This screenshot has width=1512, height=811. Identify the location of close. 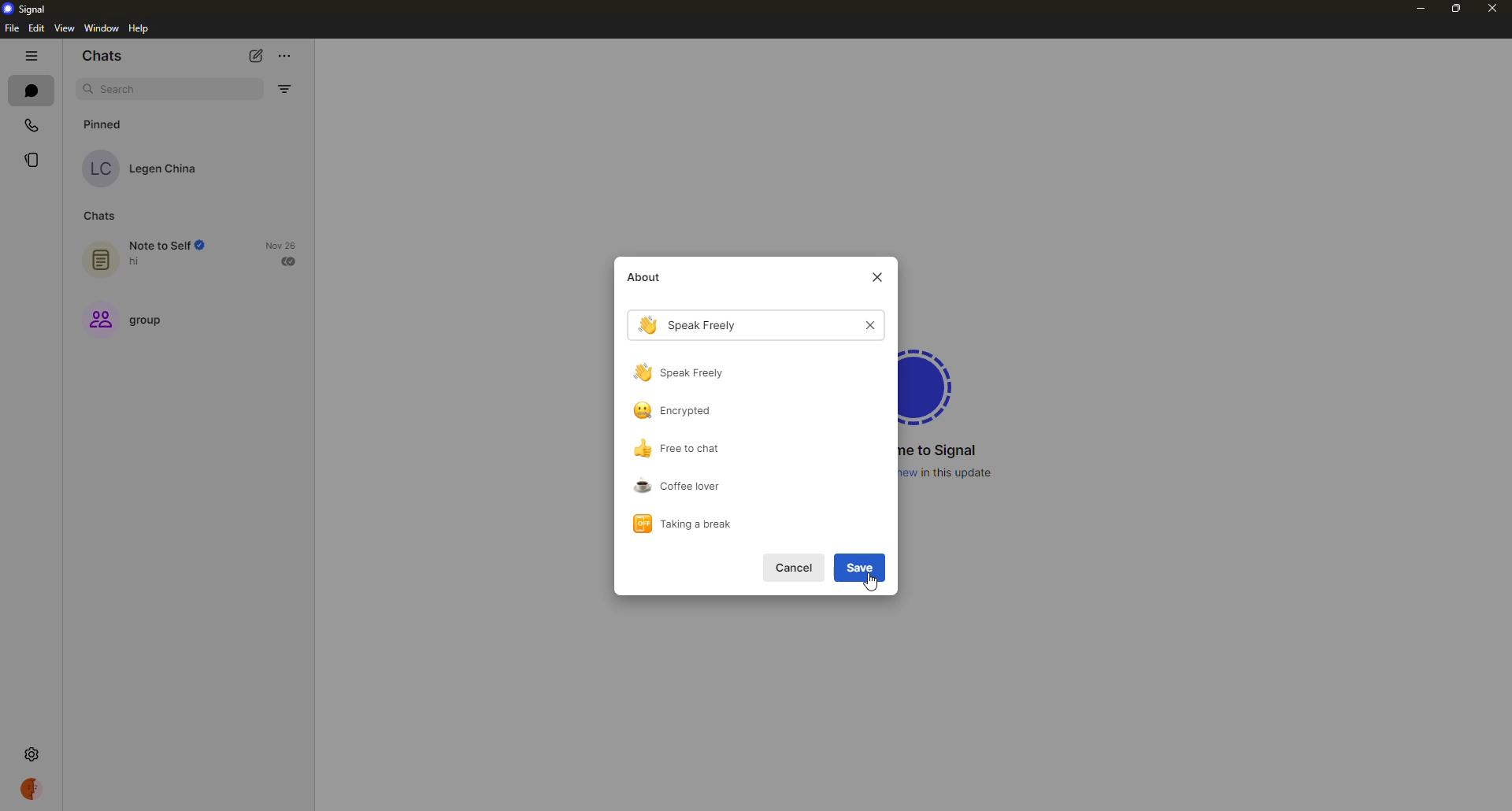
(1492, 7).